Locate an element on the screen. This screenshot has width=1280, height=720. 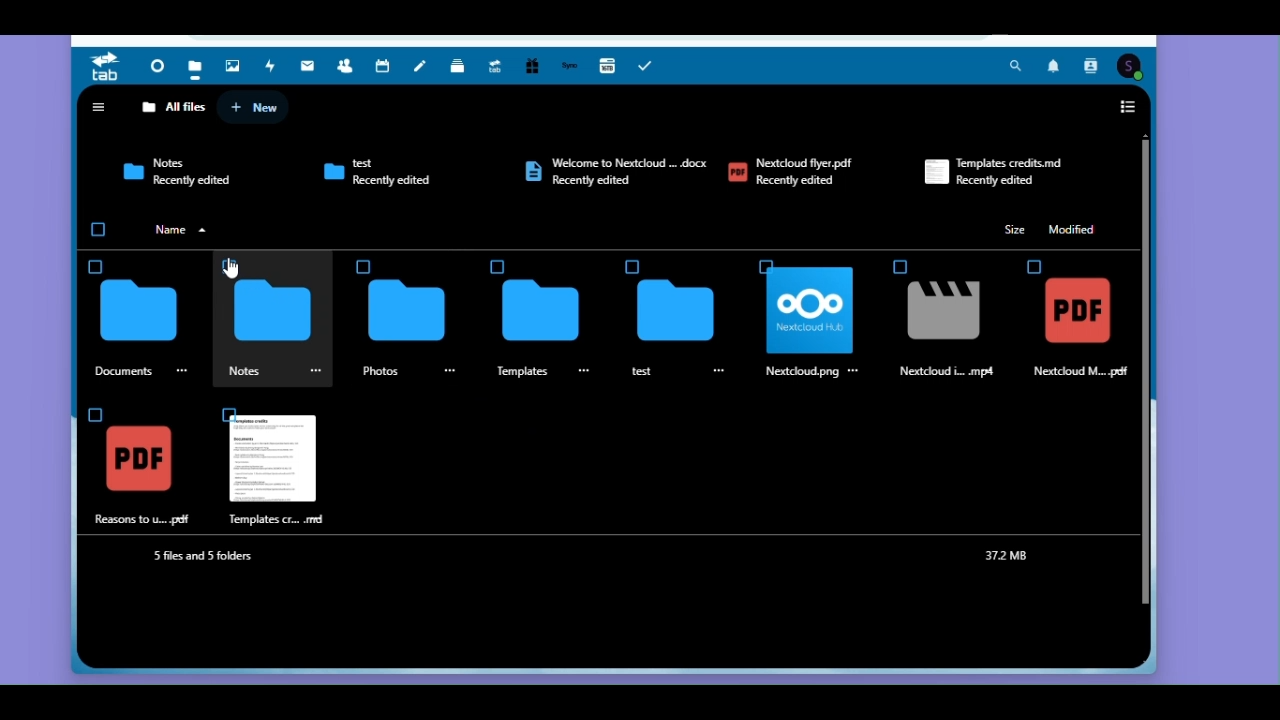
Icon is located at coordinates (899, 264).